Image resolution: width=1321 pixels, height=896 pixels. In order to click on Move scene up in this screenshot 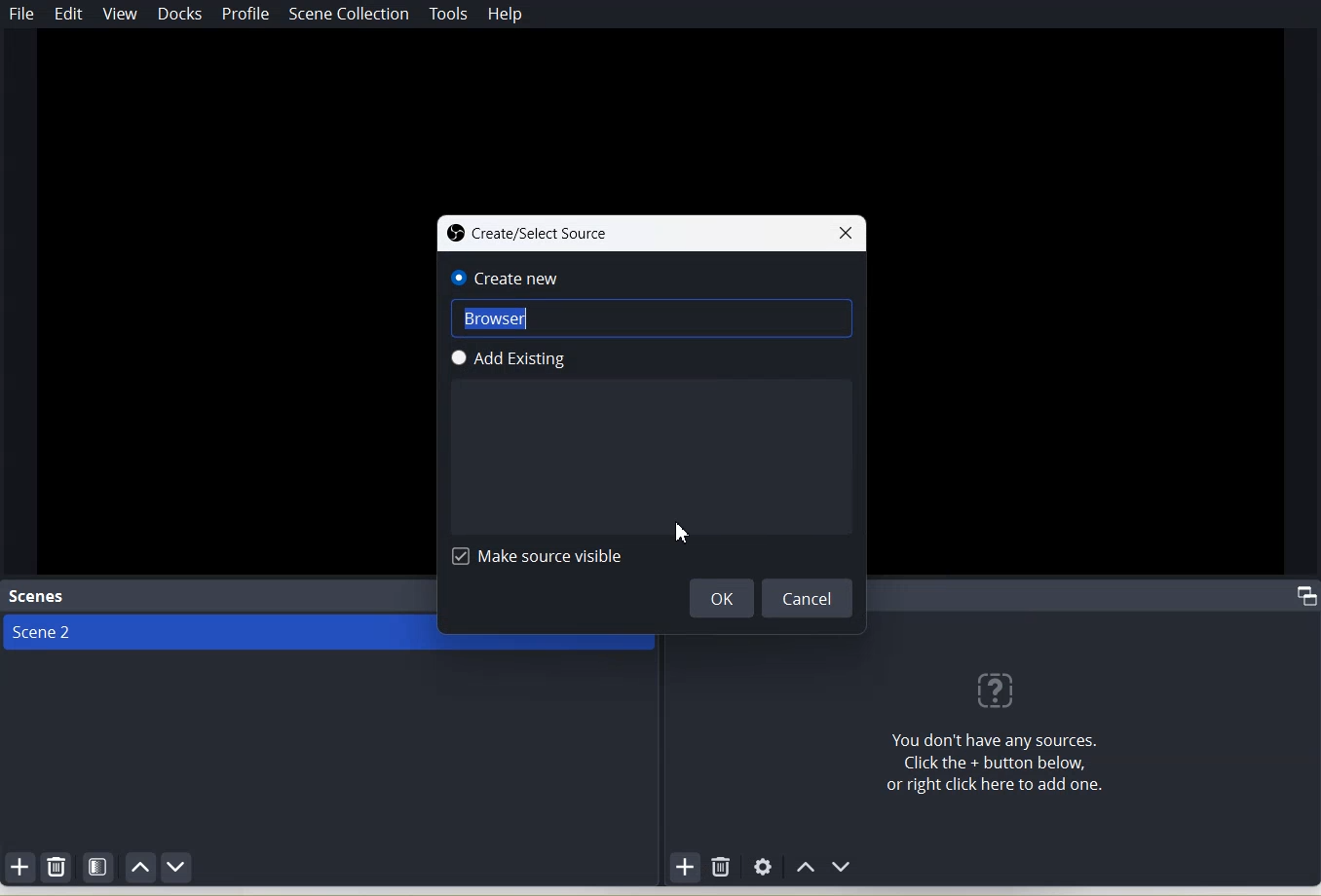, I will do `click(142, 867)`.